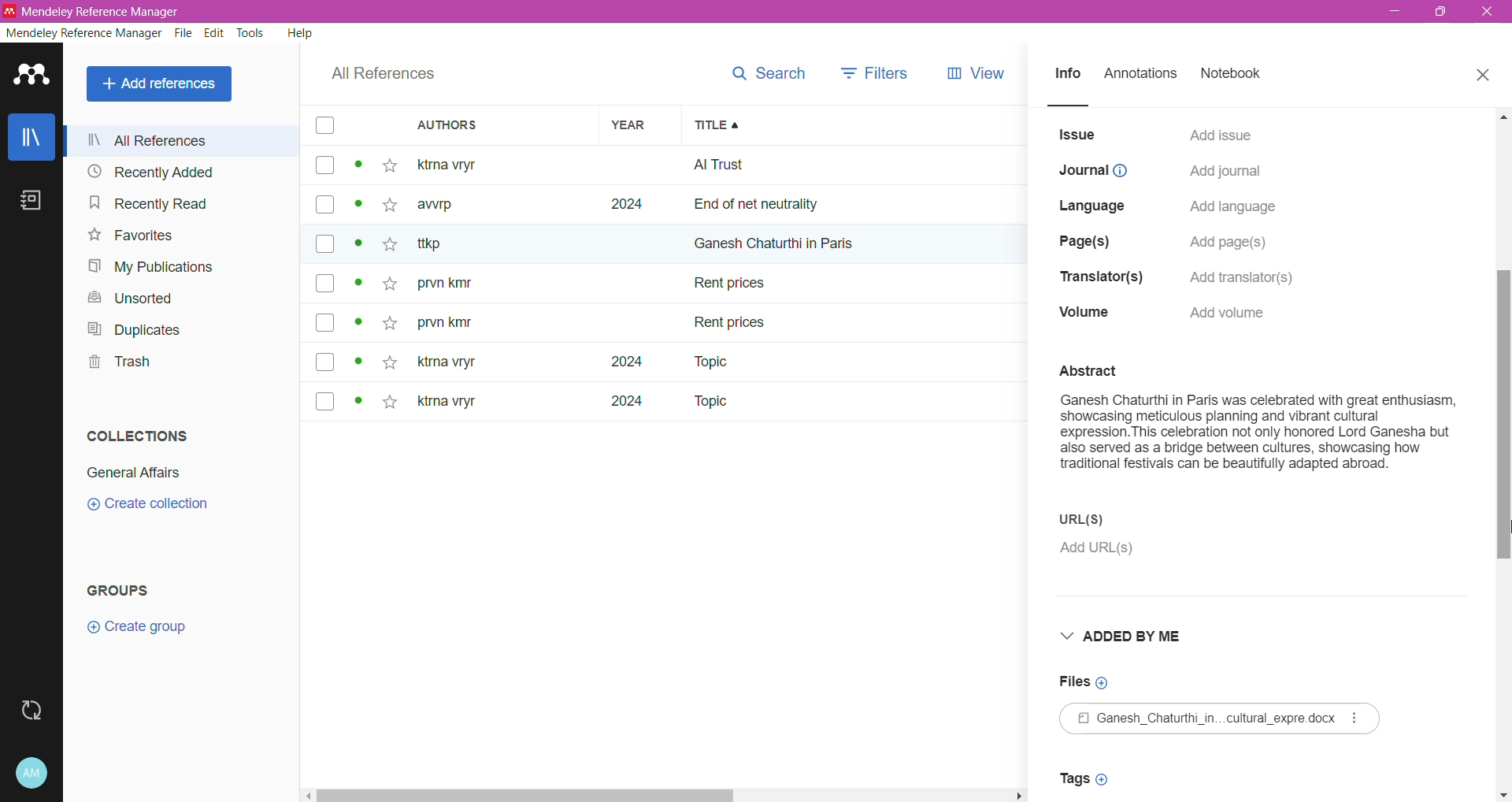 Image resolution: width=1512 pixels, height=802 pixels. I want to click on Trash, so click(117, 364).